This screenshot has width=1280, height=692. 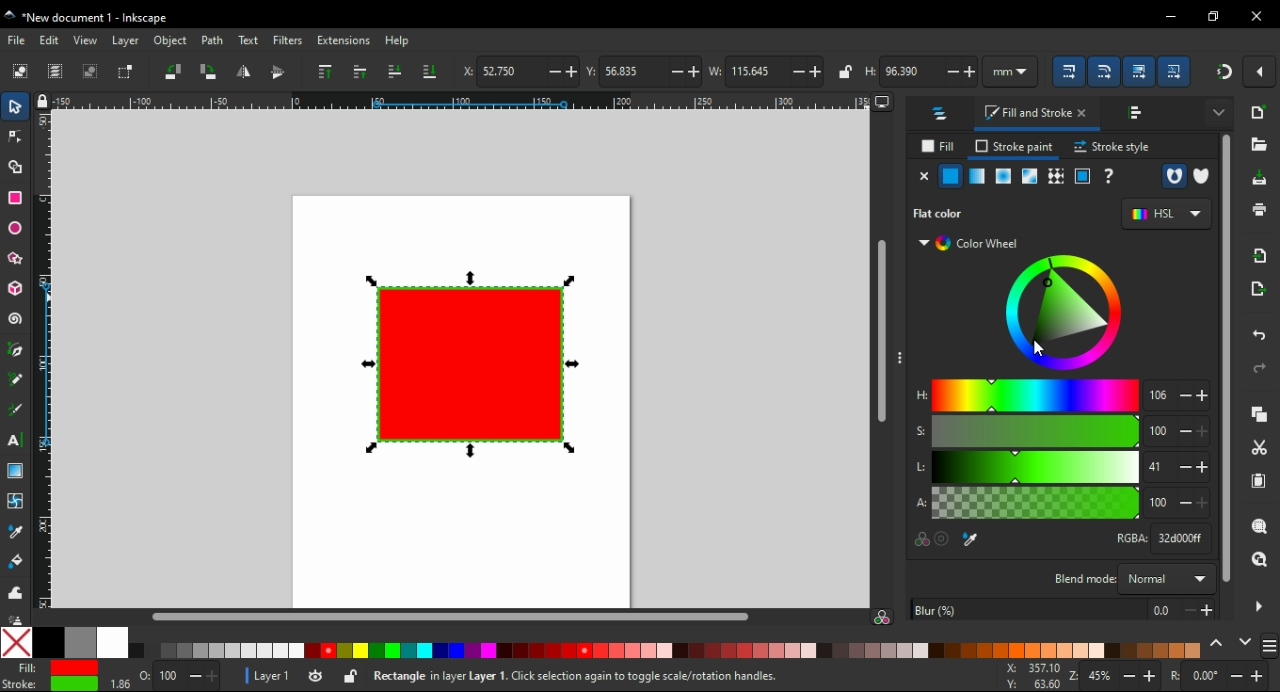 I want to click on lower to bottom, so click(x=429, y=70).